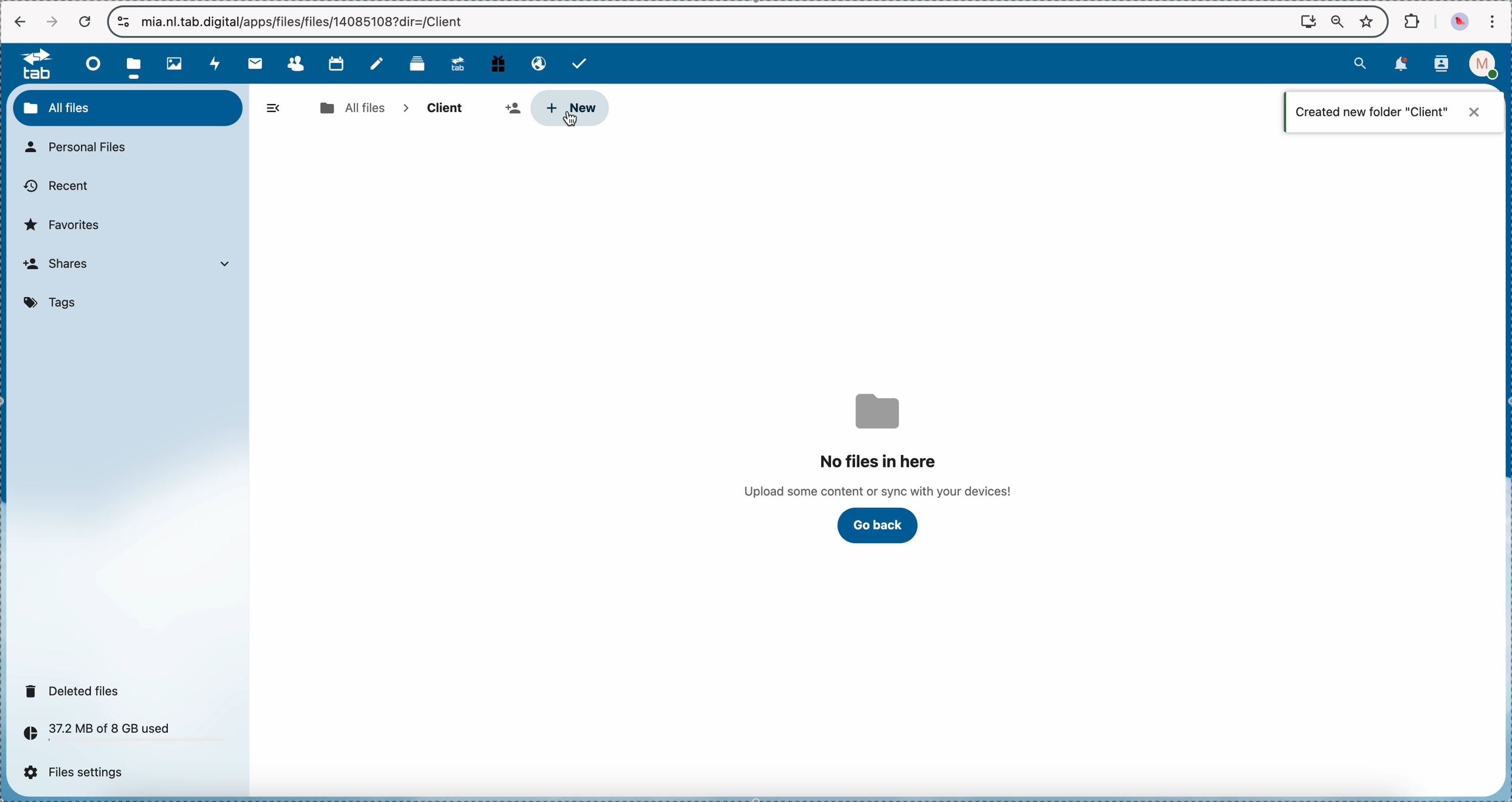 The height and width of the screenshot is (802, 1512). Describe the element at coordinates (458, 63) in the screenshot. I see `upgrade` at that location.